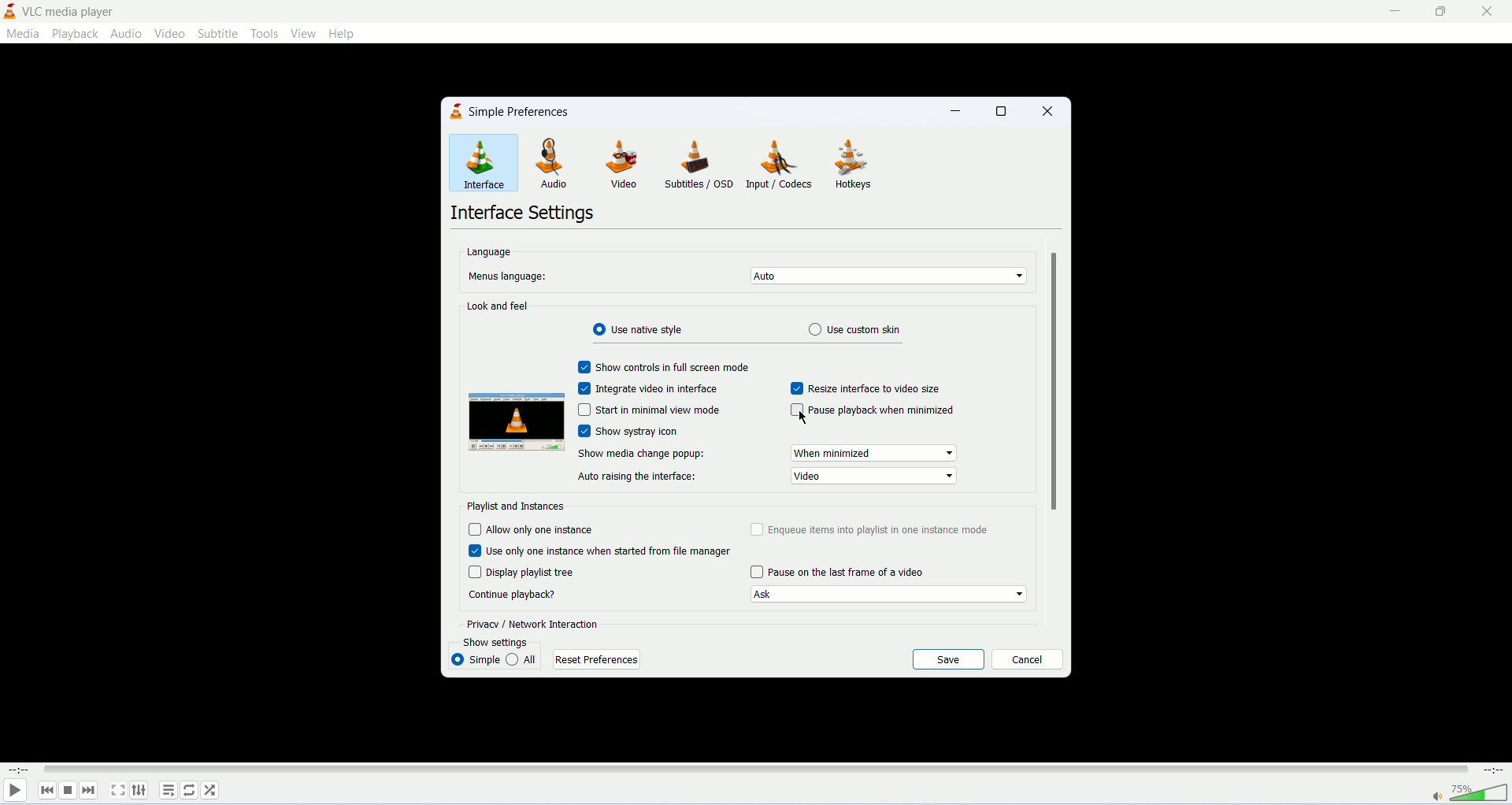 Image resolution: width=1512 pixels, height=805 pixels. Describe the element at coordinates (882, 411) in the screenshot. I see `pause playback when minimized` at that location.